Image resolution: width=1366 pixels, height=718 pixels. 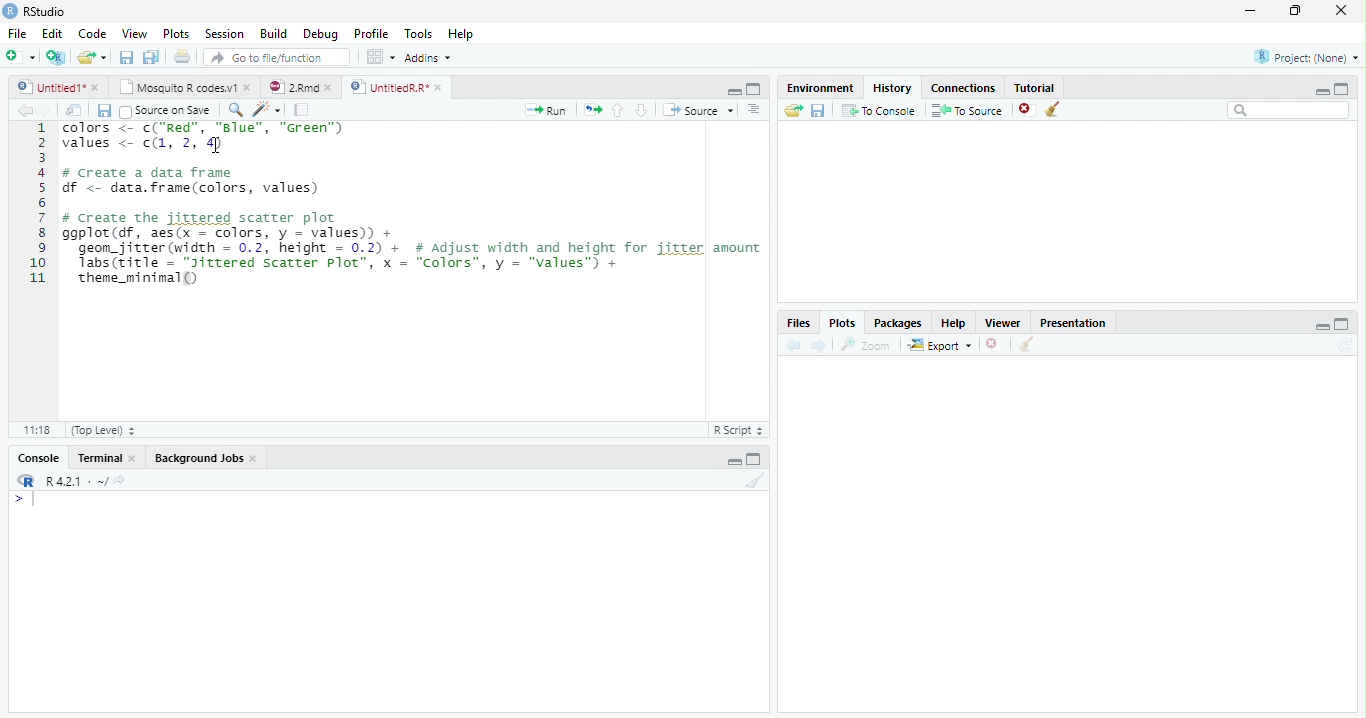 What do you see at coordinates (44, 111) in the screenshot?
I see `Go forward to next source location` at bounding box center [44, 111].